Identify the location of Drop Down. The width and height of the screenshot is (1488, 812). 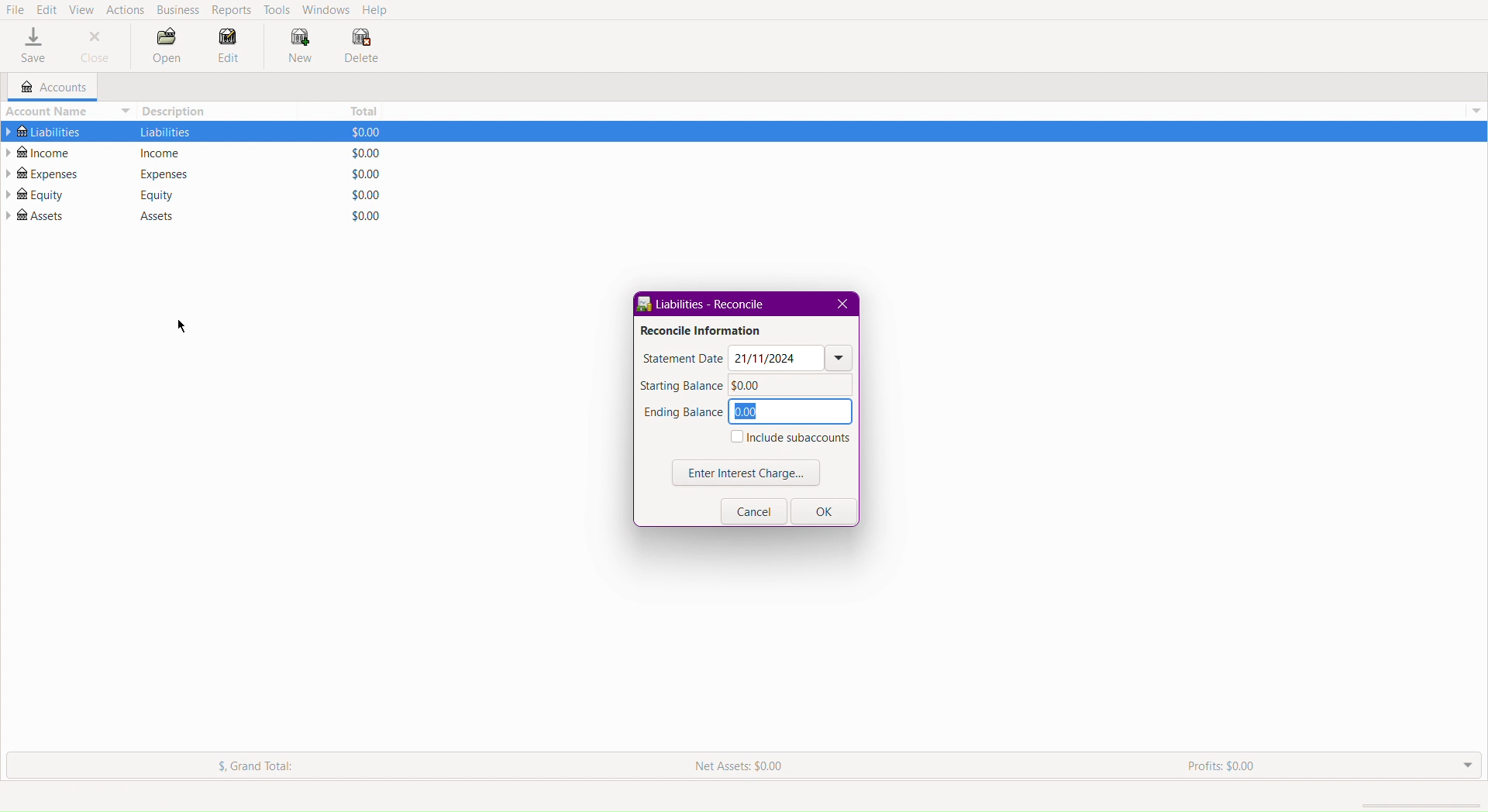
(1473, 112).